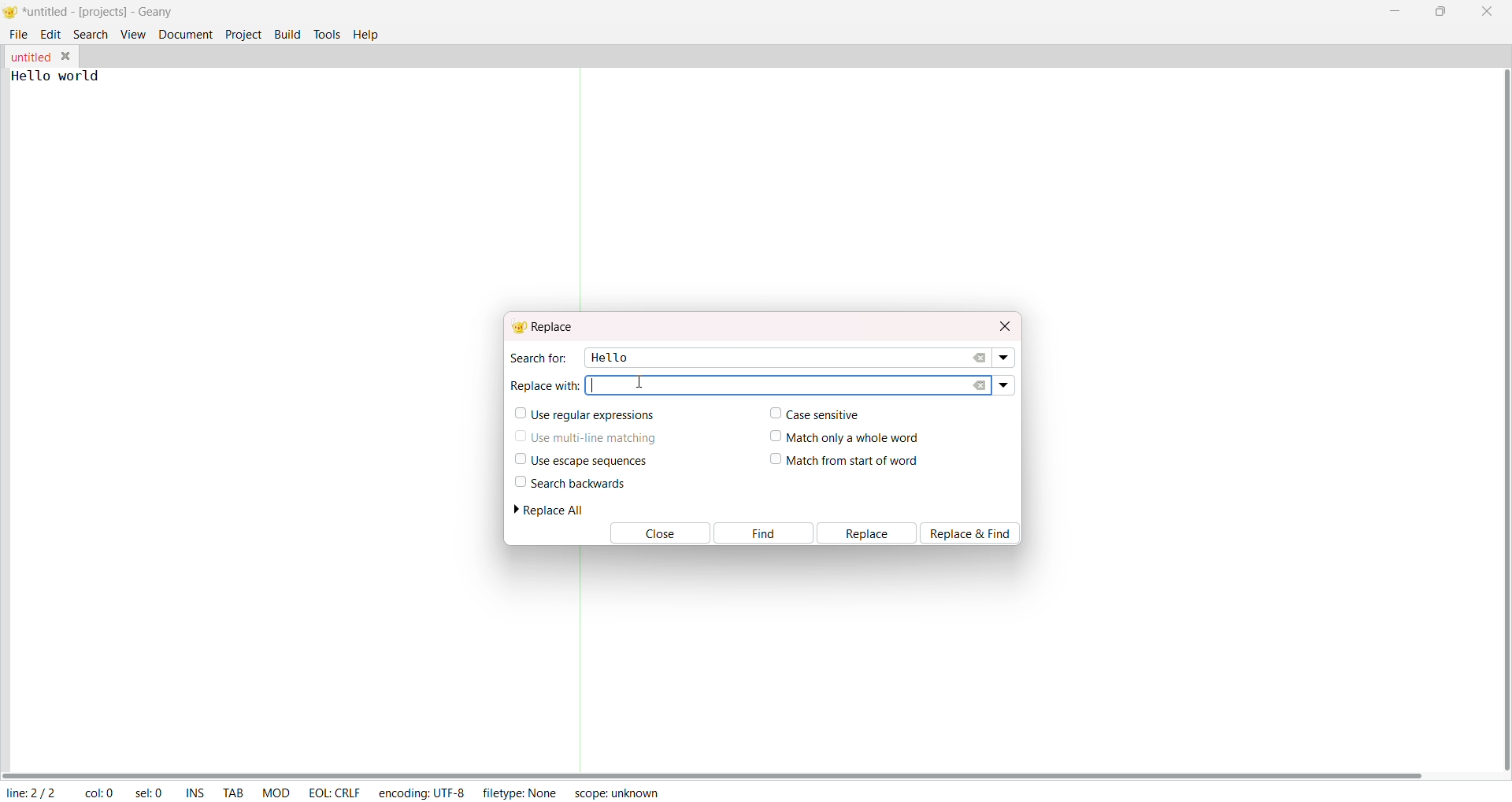  What do you see at coordinates (715, 774) in the screenshot?
I see `horizontal scroll bar` at bounding box center [715, 774].